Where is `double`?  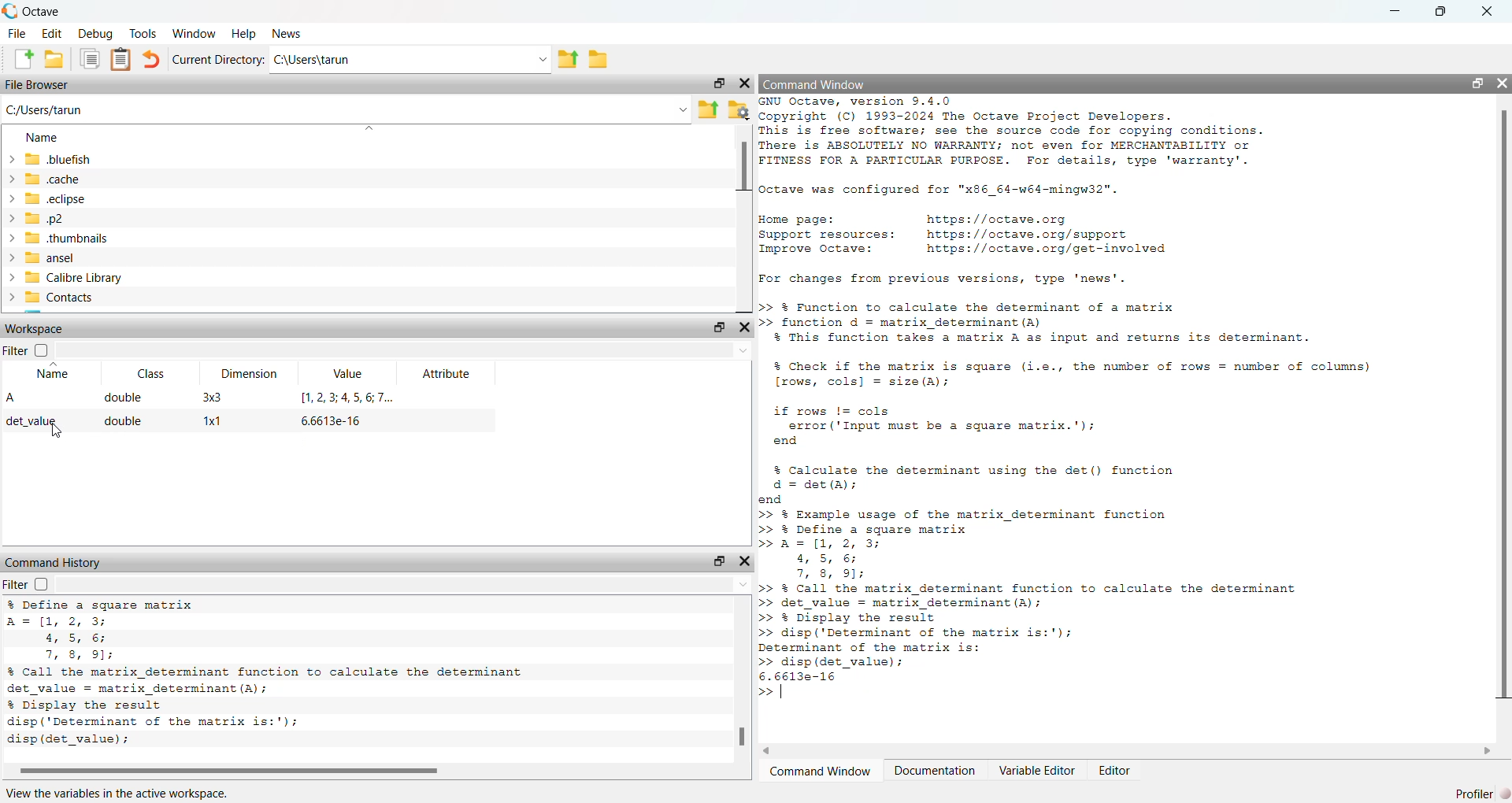
double is located at coordinates (125, 424).